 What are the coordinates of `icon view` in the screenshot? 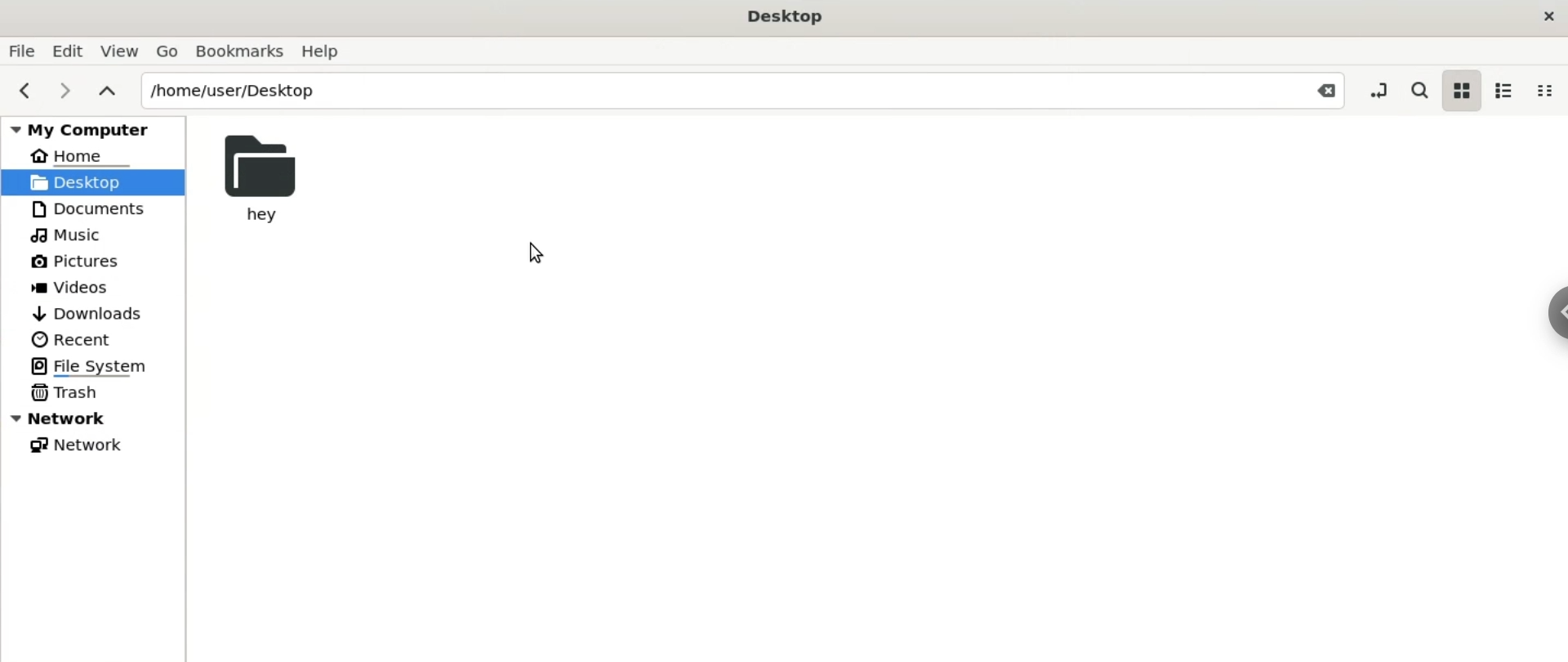 It's located at (1463, 92).